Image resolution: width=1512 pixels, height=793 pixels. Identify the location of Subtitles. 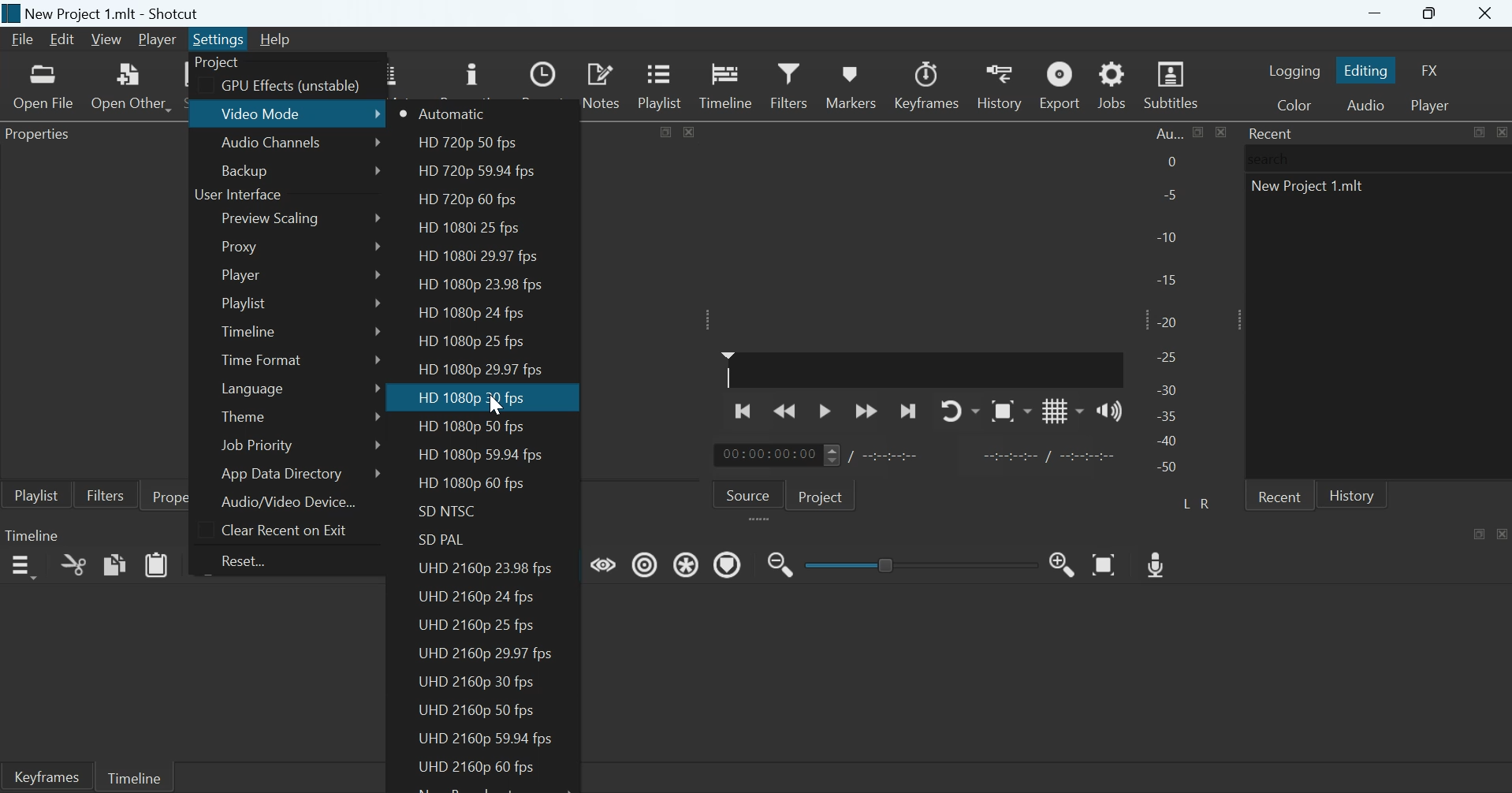
(1173, 85).